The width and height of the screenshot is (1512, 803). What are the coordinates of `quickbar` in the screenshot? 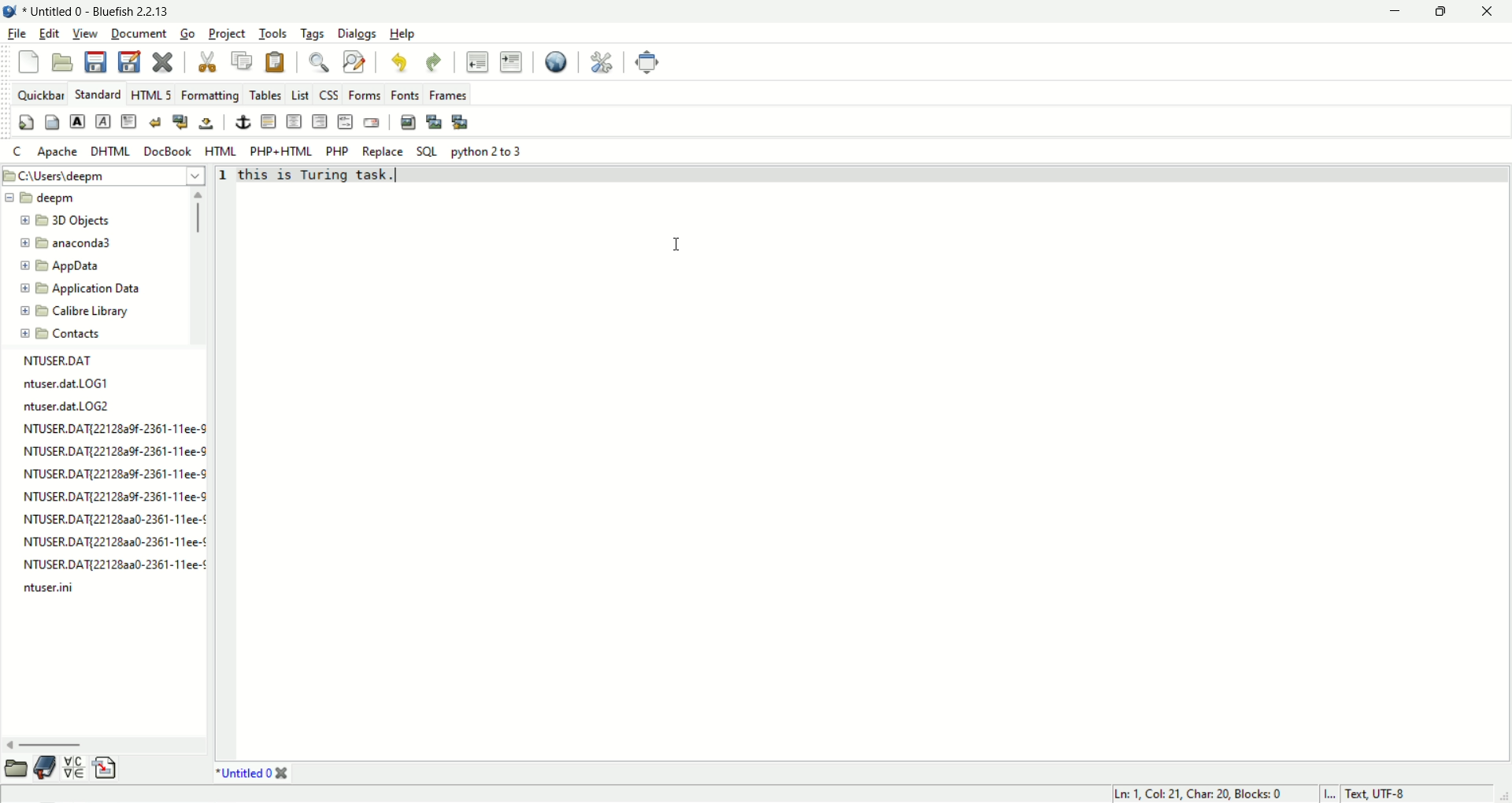 It's located at (41, 95).